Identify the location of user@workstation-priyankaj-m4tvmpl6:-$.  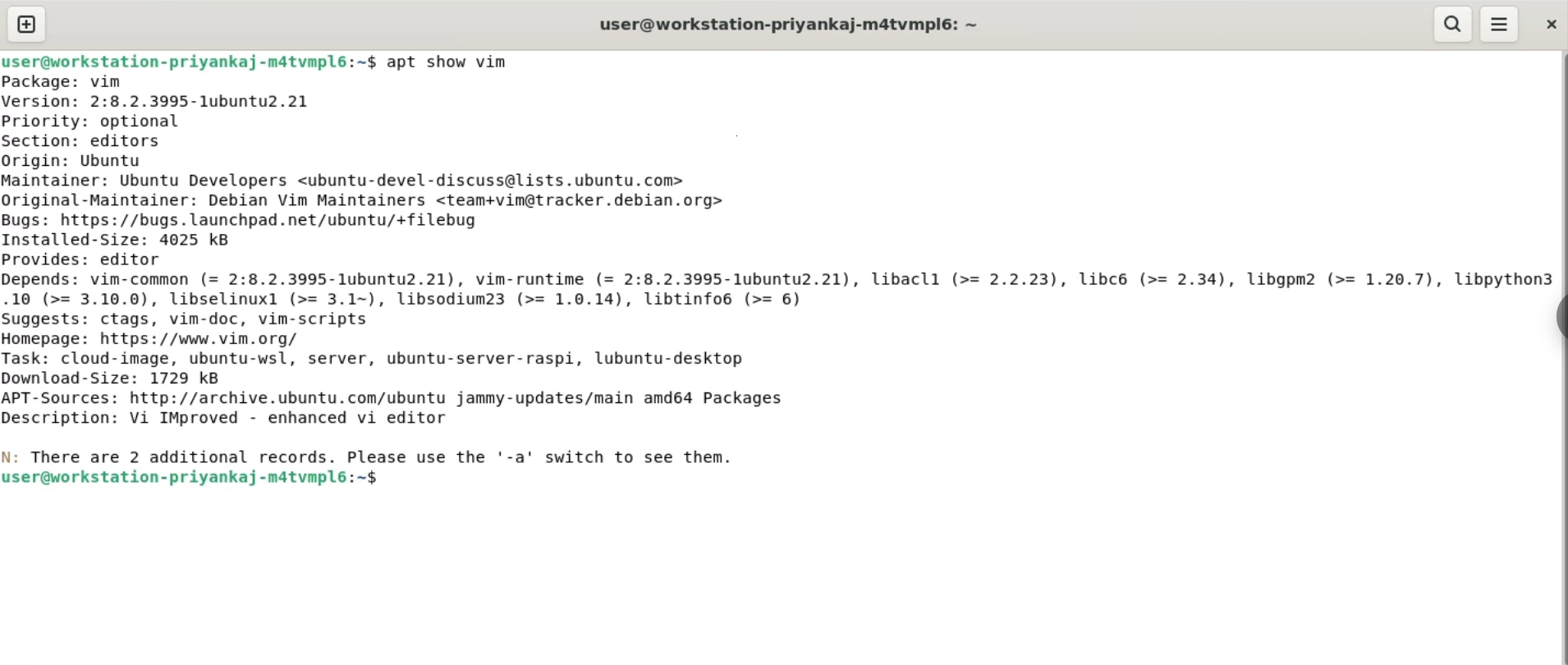
(190, 62).